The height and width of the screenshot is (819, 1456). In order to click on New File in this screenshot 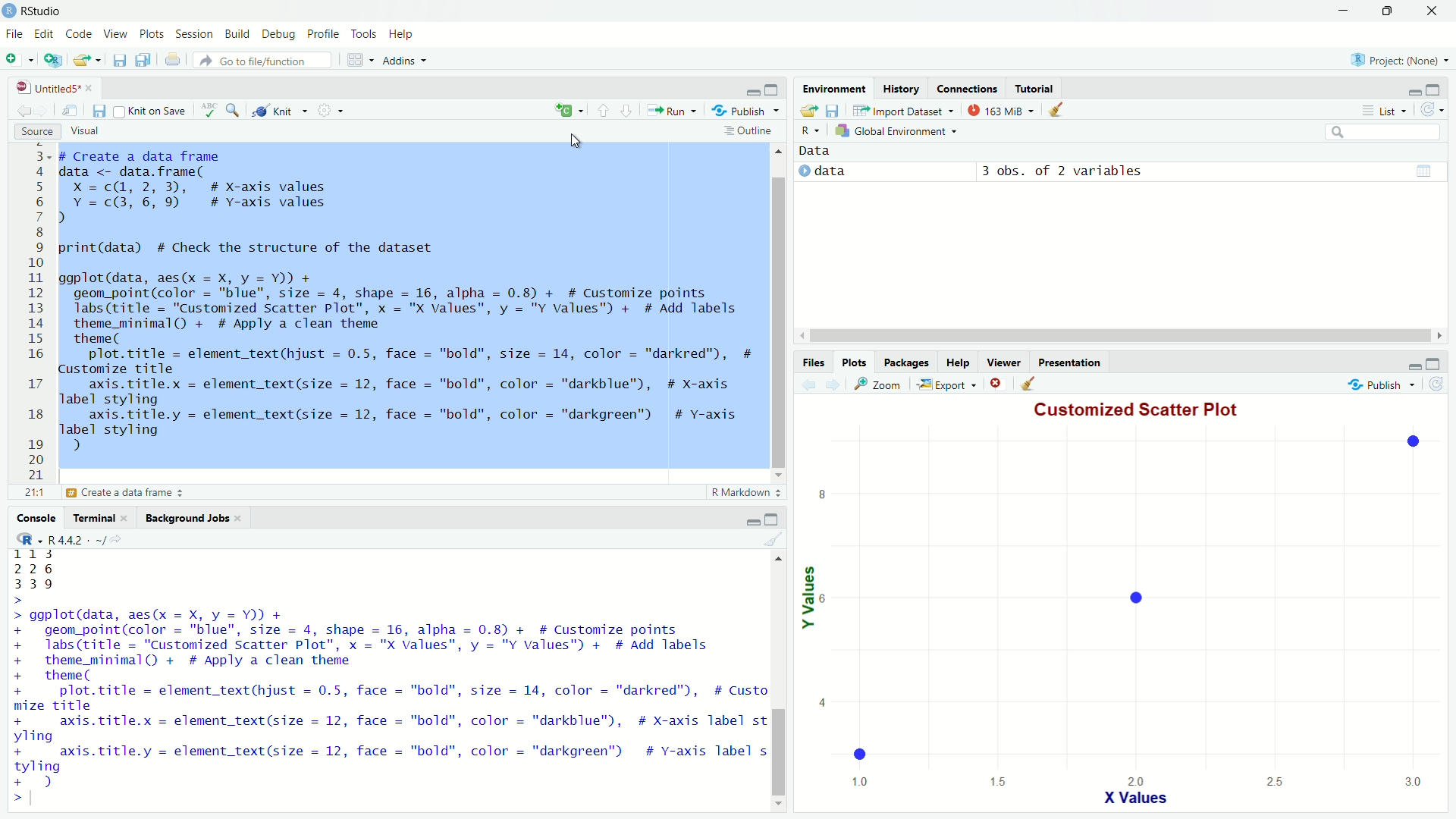, I will do `click(17, 58)`.